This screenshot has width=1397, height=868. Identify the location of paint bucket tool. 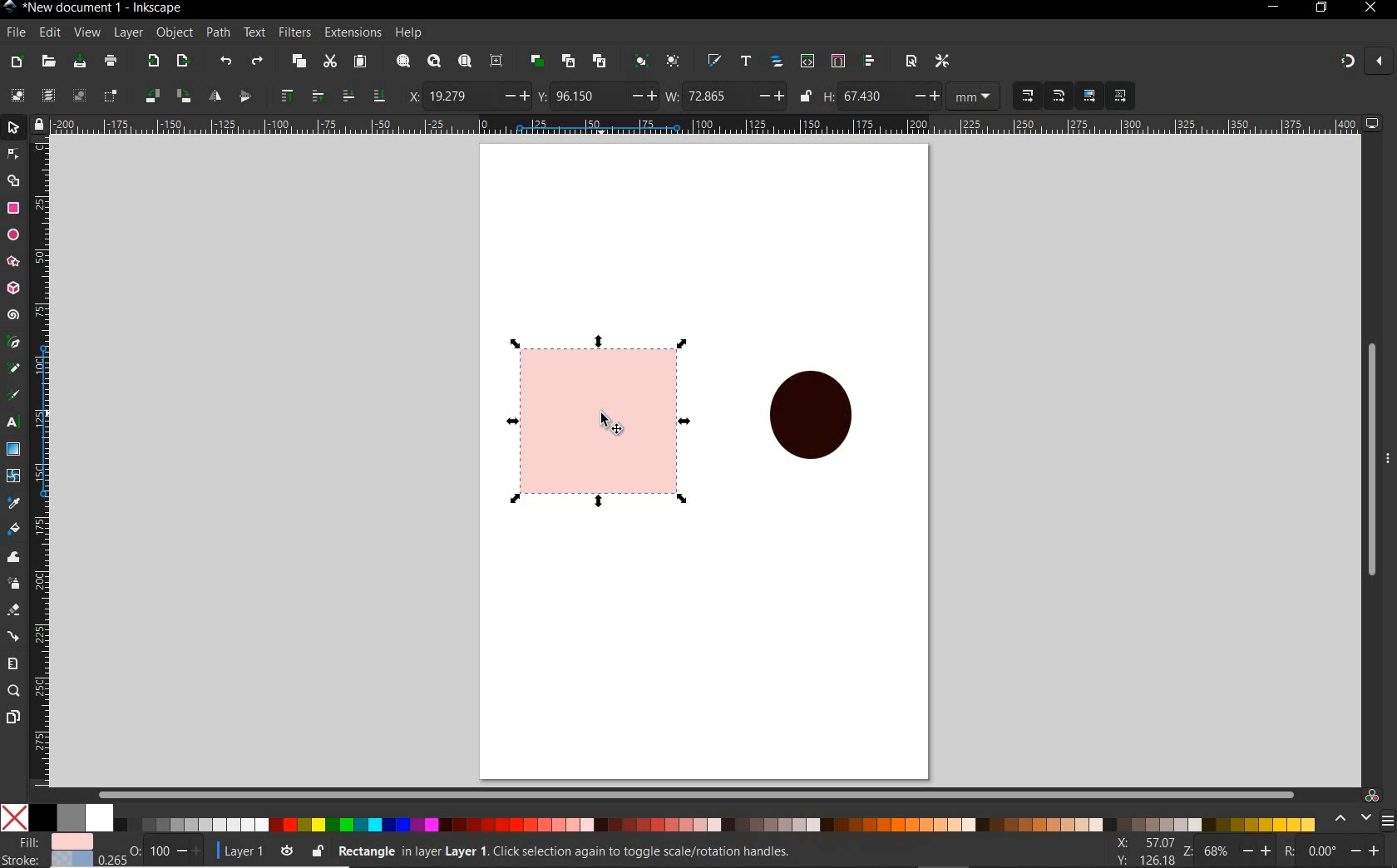
(13, 528).